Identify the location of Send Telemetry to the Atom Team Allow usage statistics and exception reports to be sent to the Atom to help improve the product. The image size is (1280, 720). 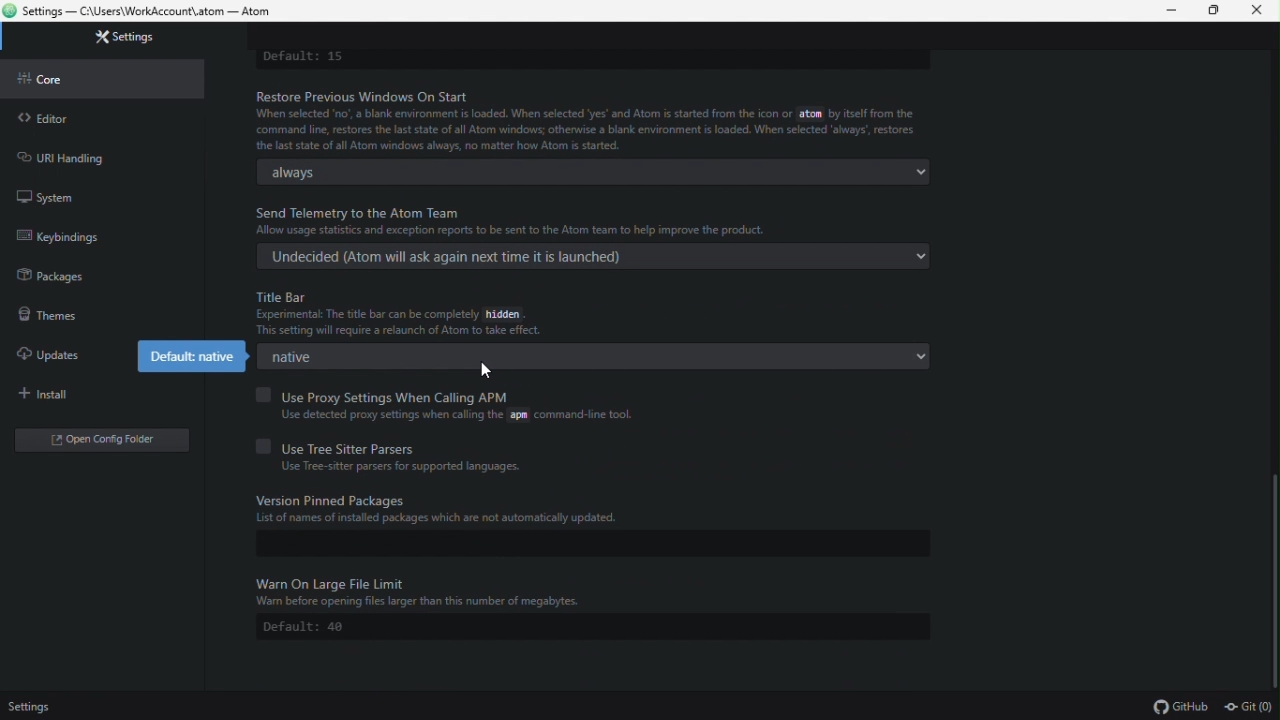
(594, 221).